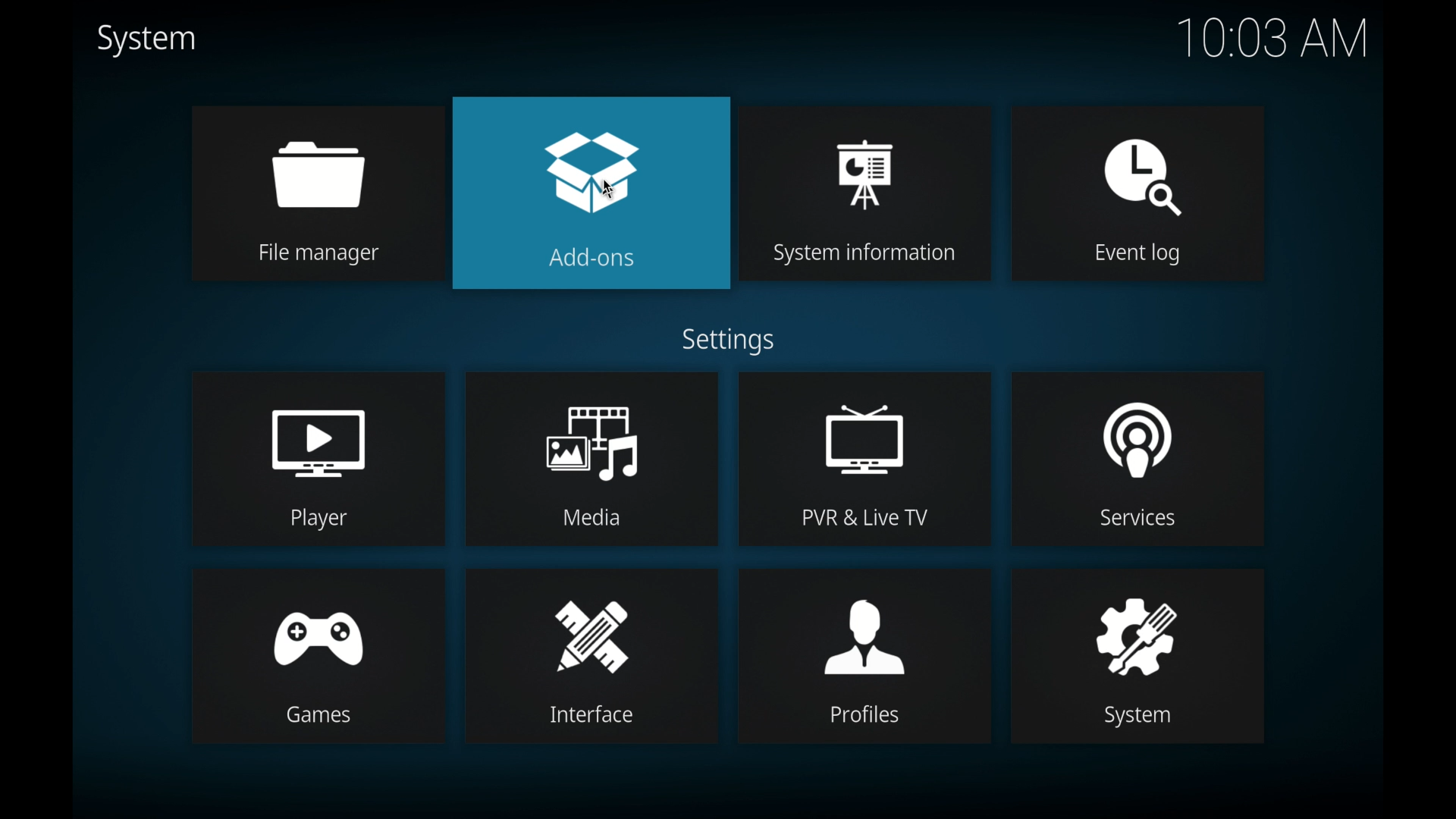 The height and width of the screenshot is (819, 1456). I want to click on settings, so click(729, 342).